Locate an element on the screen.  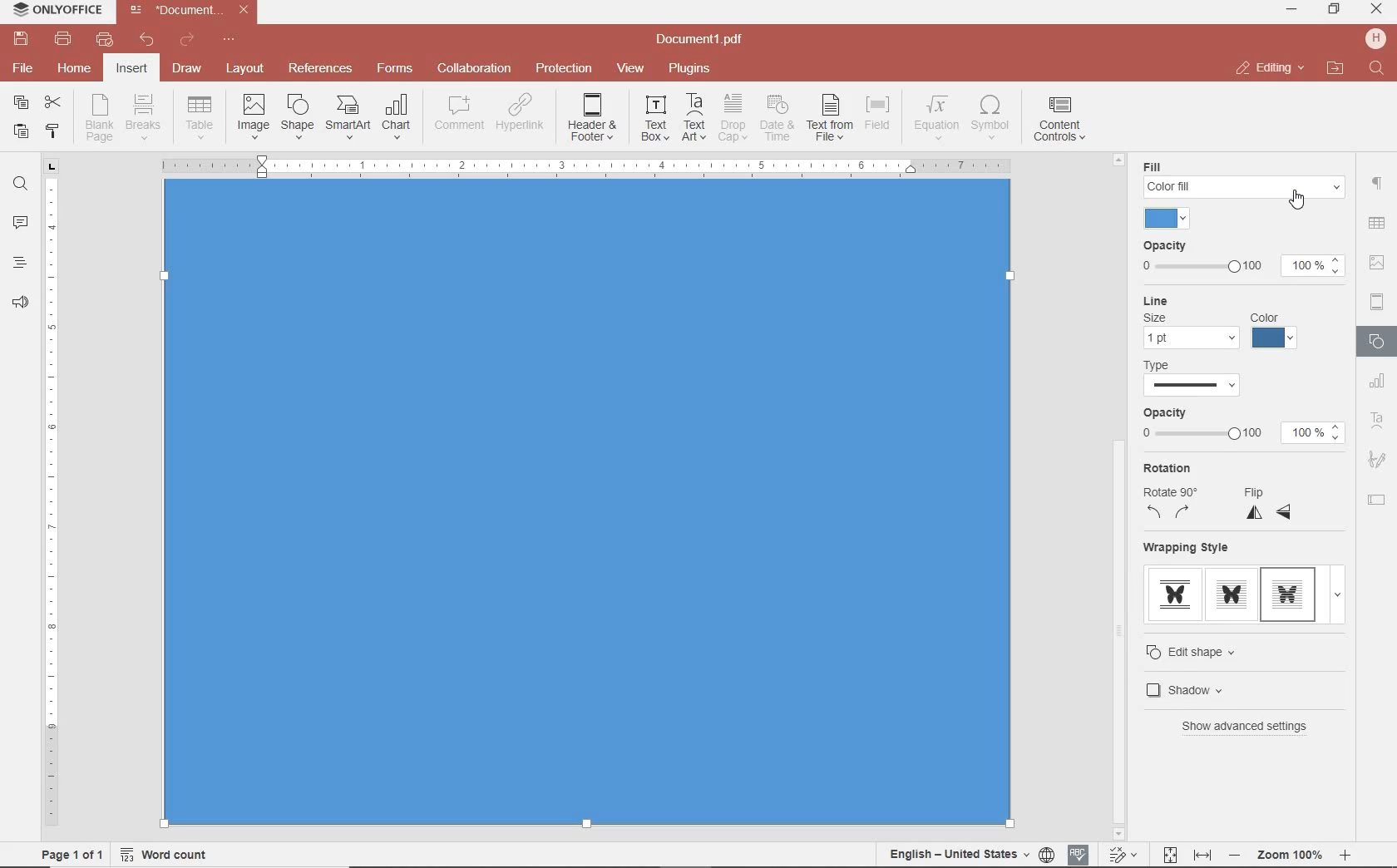
copy style is located at coordinates (51, 130).